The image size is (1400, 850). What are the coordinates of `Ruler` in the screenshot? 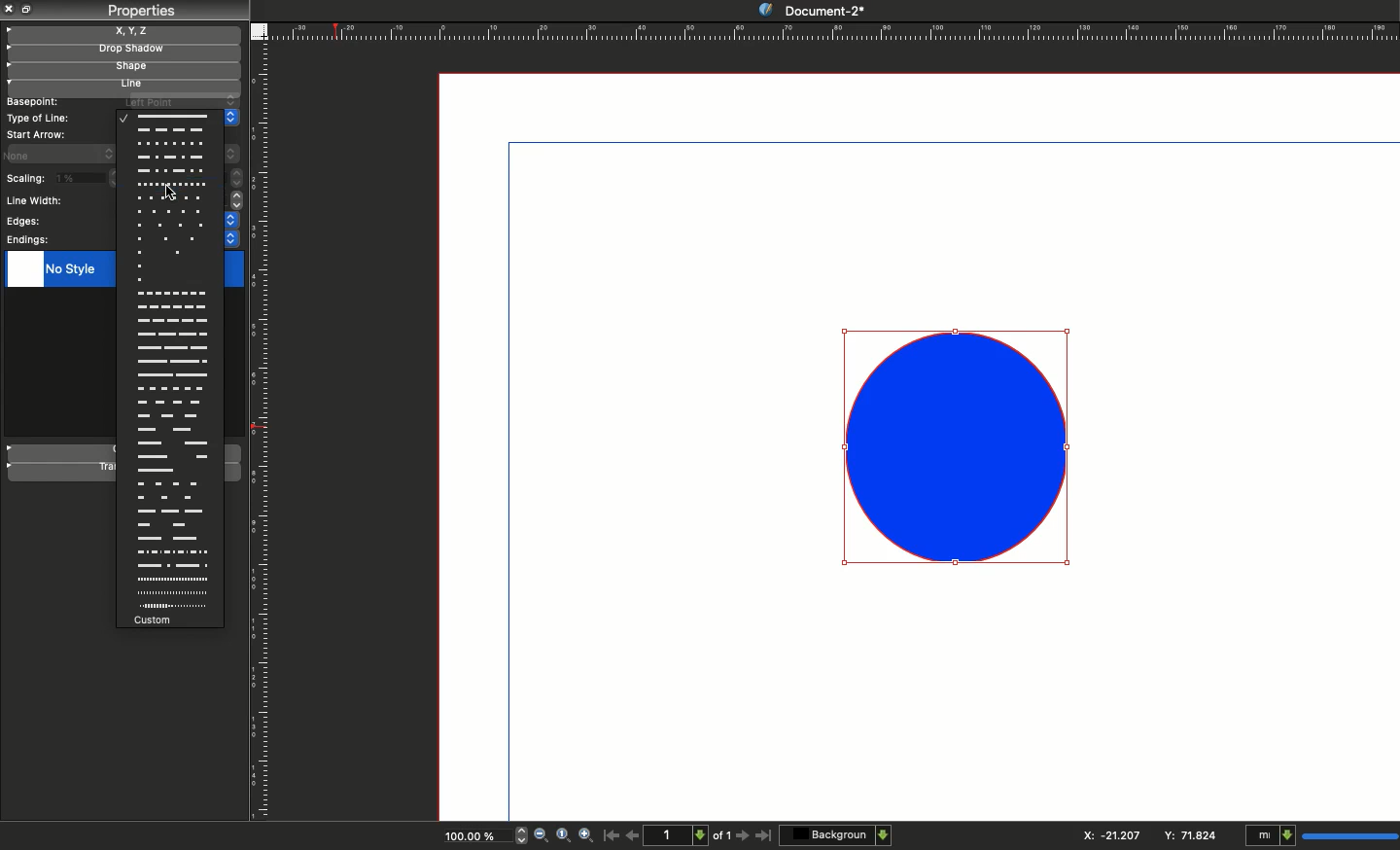 It's located at (262, 433).